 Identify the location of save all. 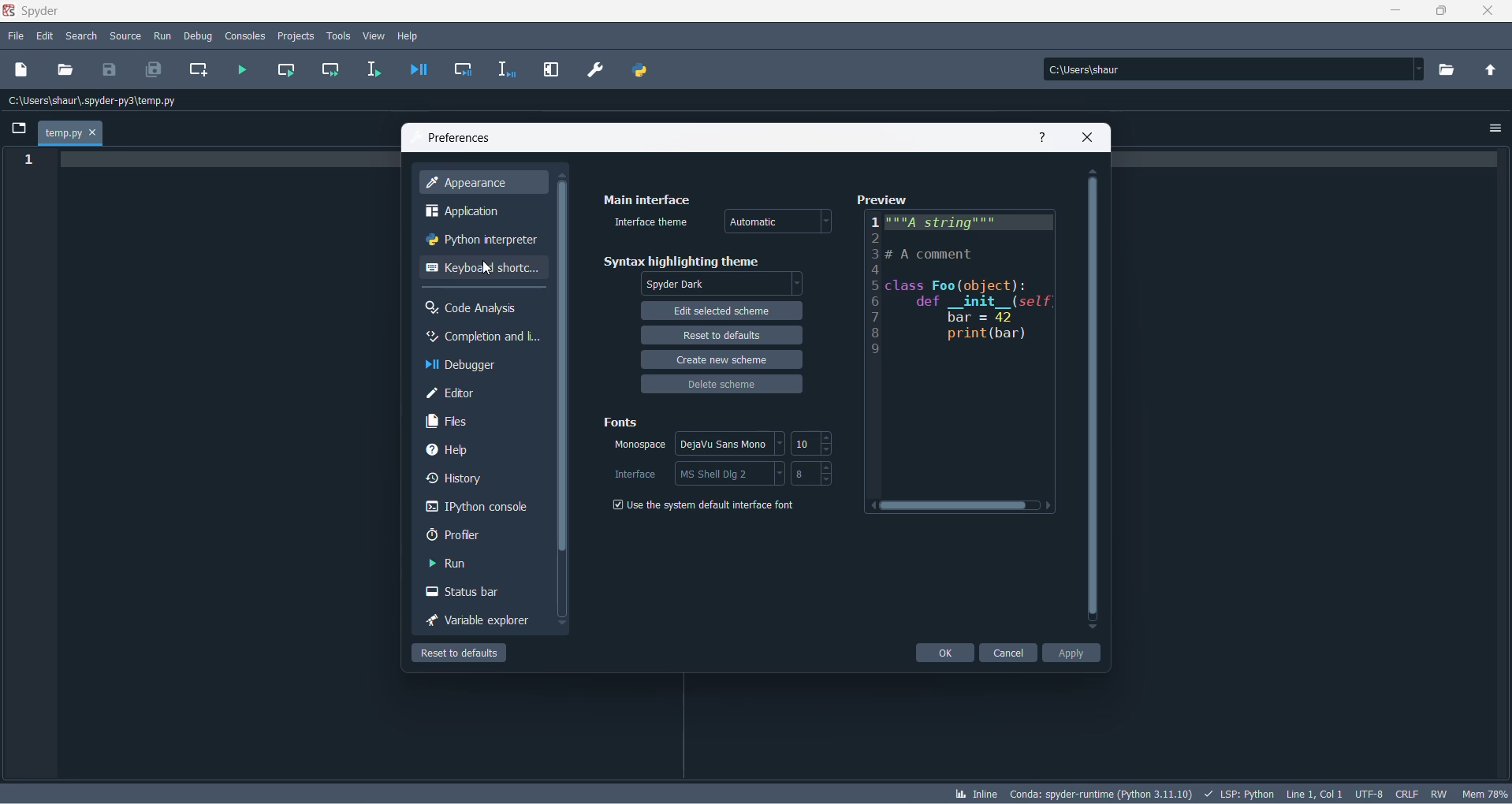
(151, 71).